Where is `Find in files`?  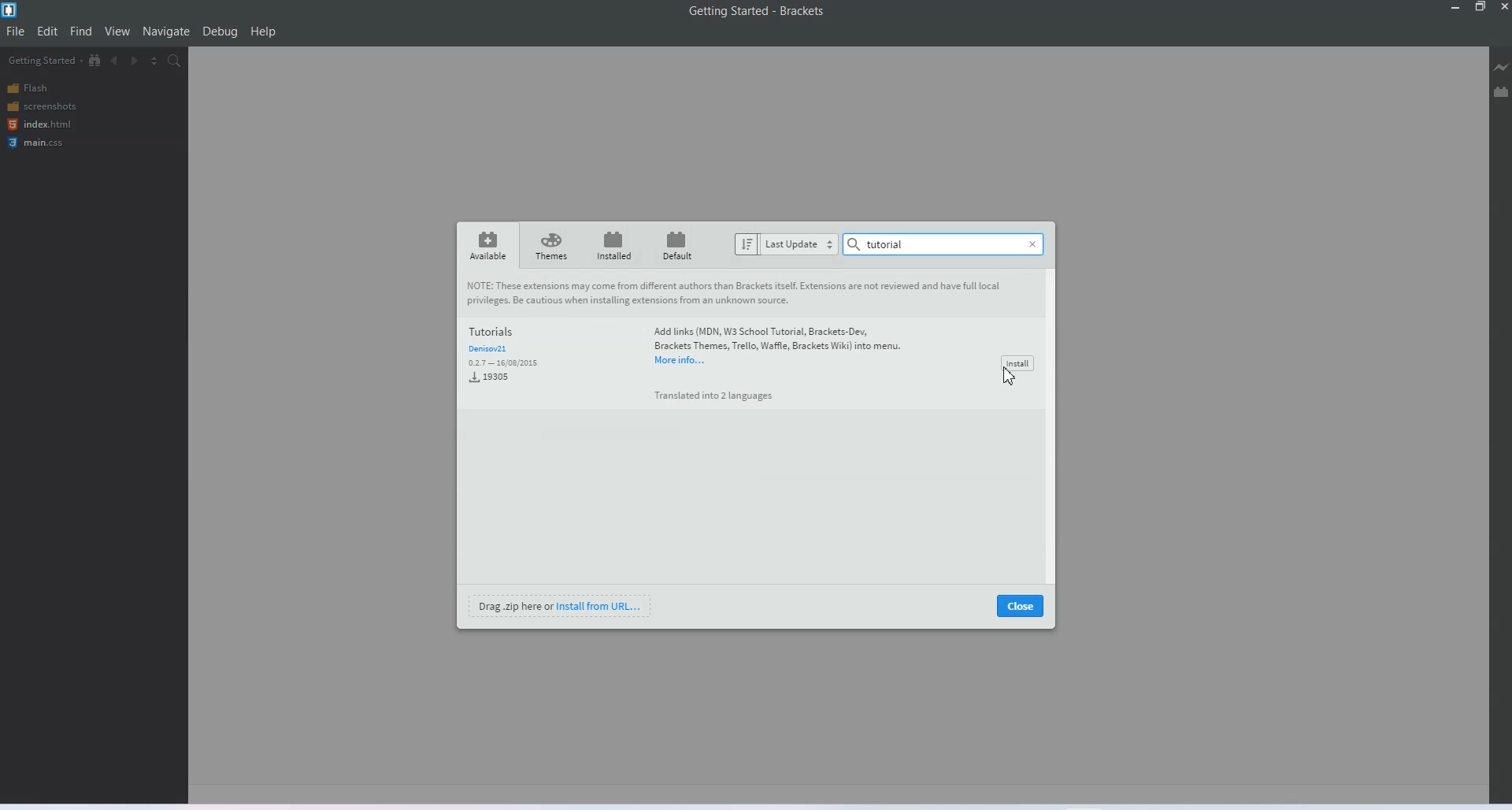 Find in files is located at coordinates (175, 61).